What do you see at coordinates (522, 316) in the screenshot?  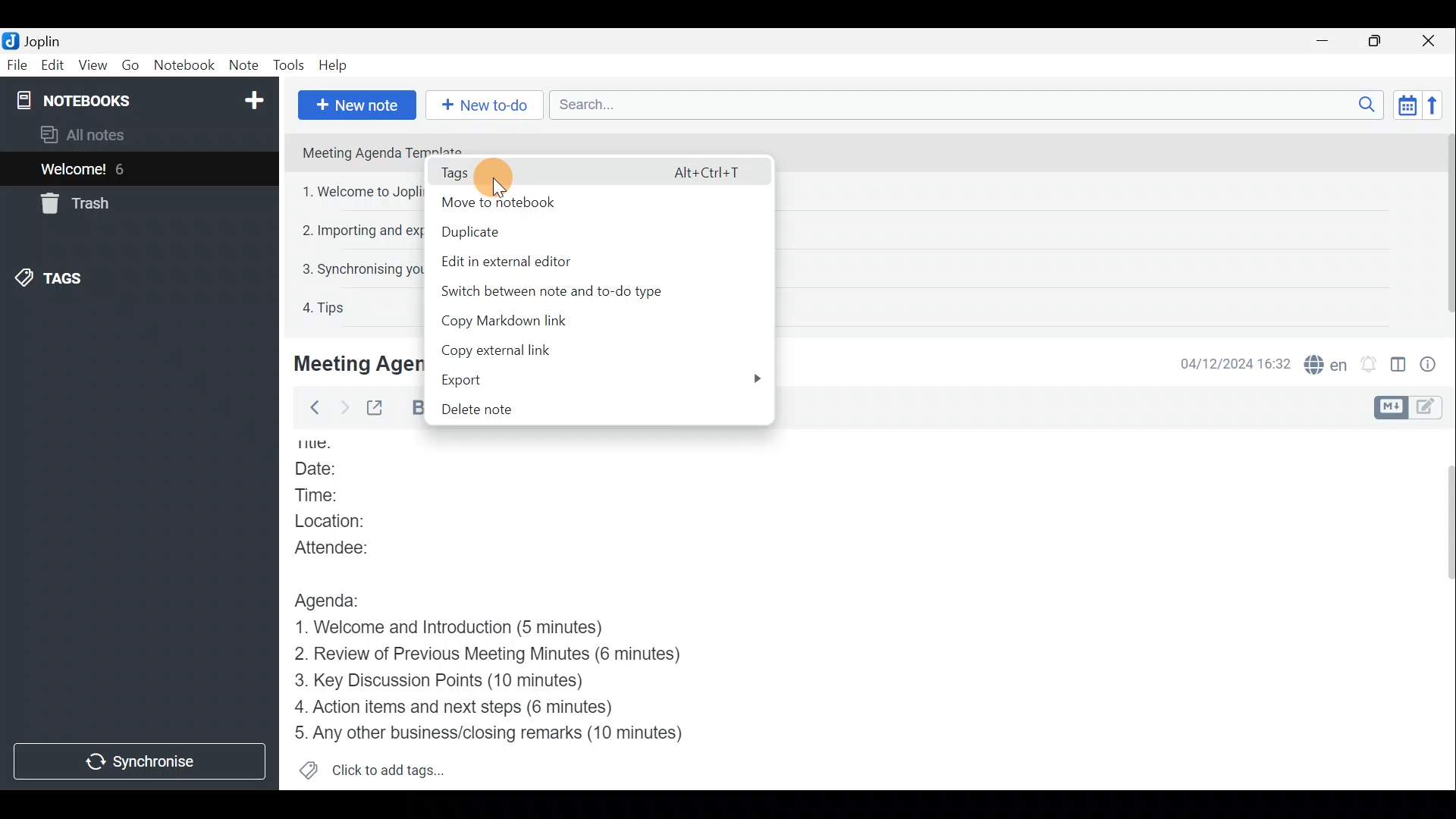 I see `Copy markdown link` at bounding box center [522, 316].